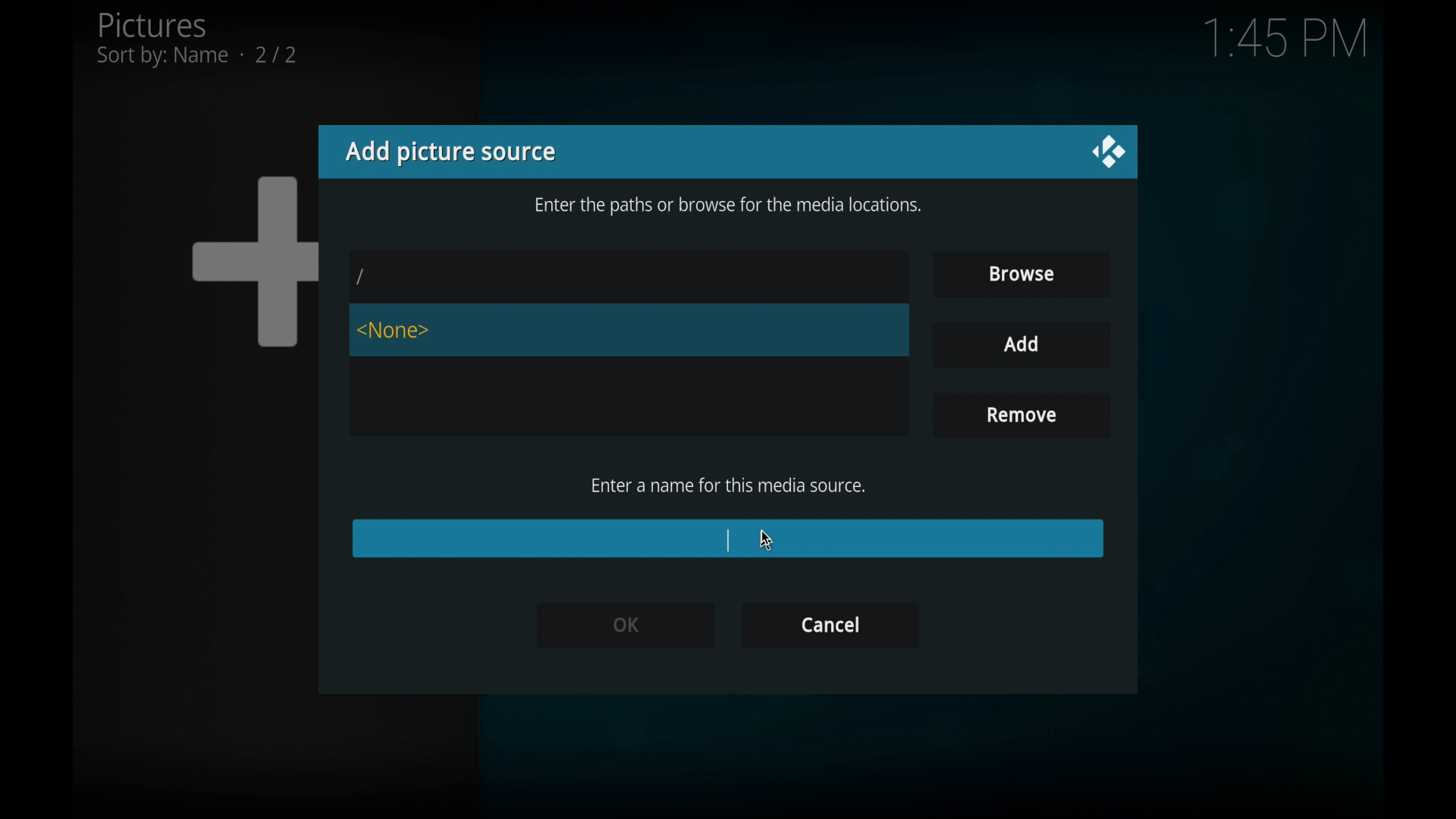 The image size is (1456, 819). What do you see at coordinates (1021, 275) in the screenshot?
I see `browse` at bounding box center [1021, 275].